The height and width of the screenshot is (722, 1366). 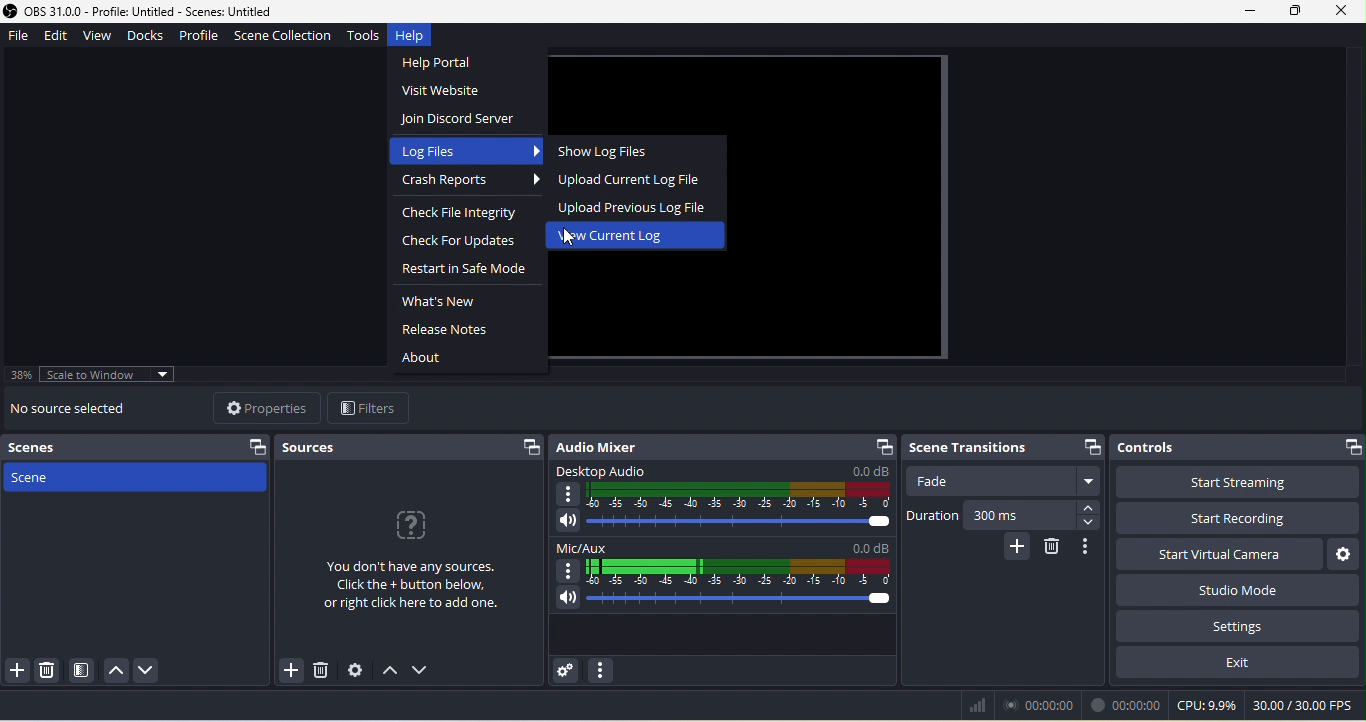 What do you see at coordinates (462, 121) in the screenshot?
I see `join disorder server` at bounding box center [462, 121].